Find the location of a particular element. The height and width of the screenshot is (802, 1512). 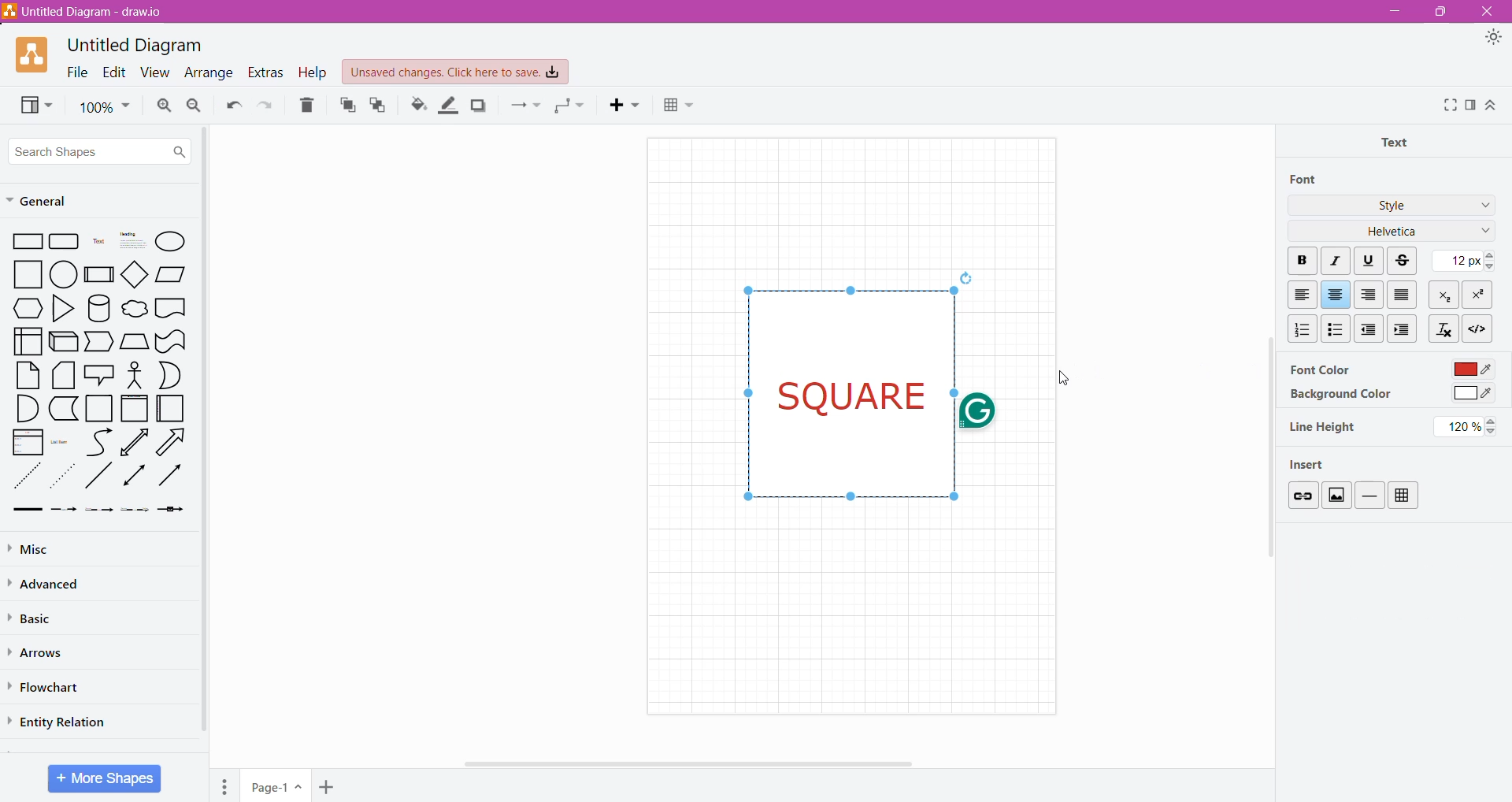

Left is located at coordinates (1302, 295).